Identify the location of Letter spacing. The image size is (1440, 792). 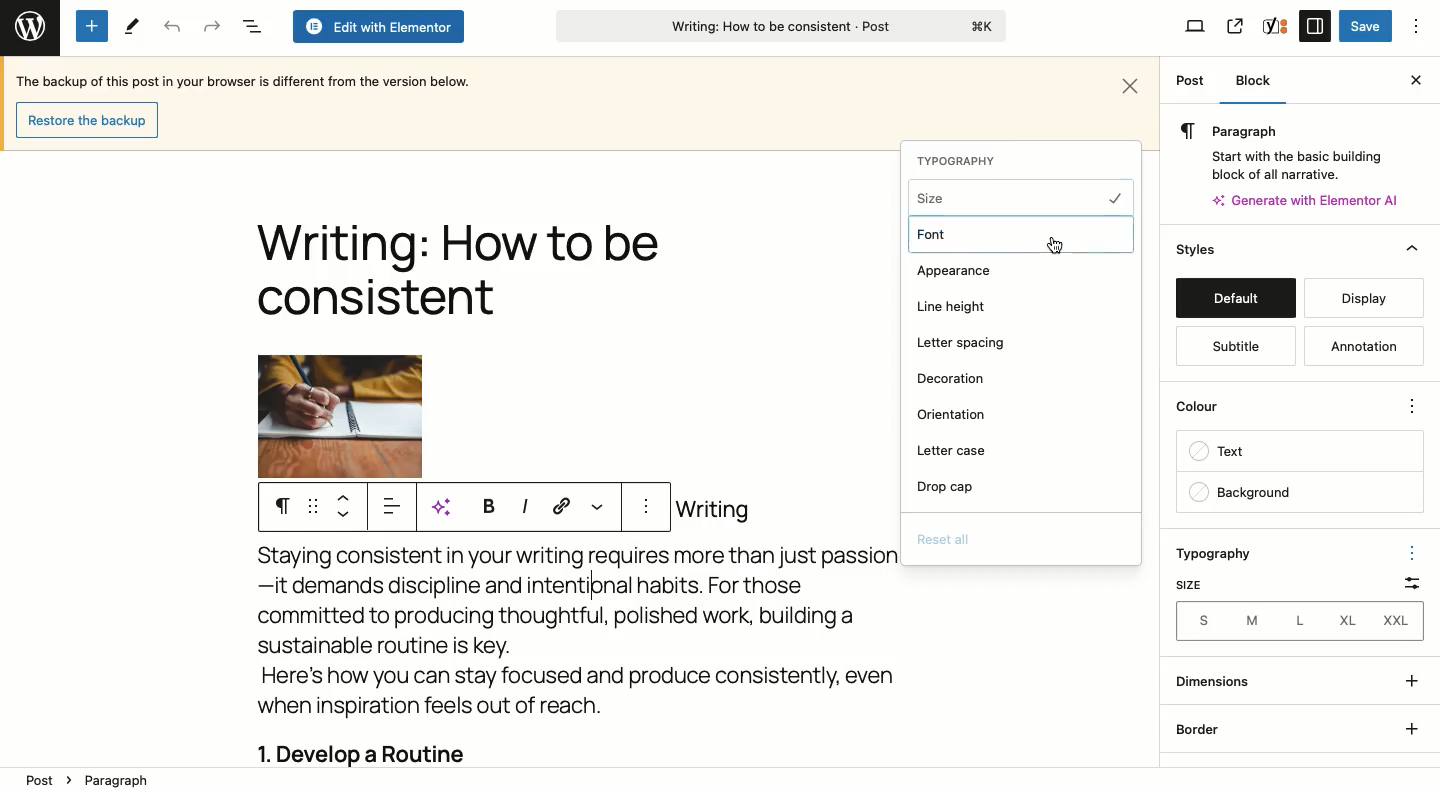
(964, 343).